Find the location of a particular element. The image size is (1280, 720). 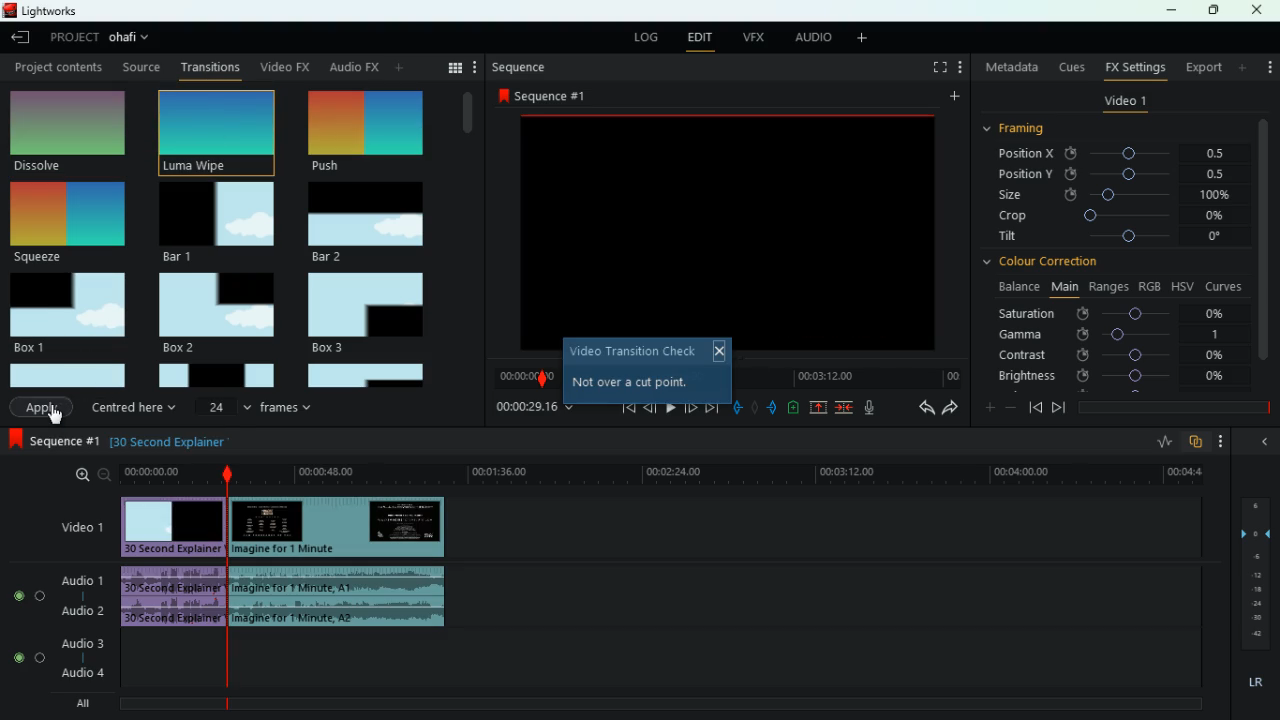

framing is located at coordinates (1026, 129).